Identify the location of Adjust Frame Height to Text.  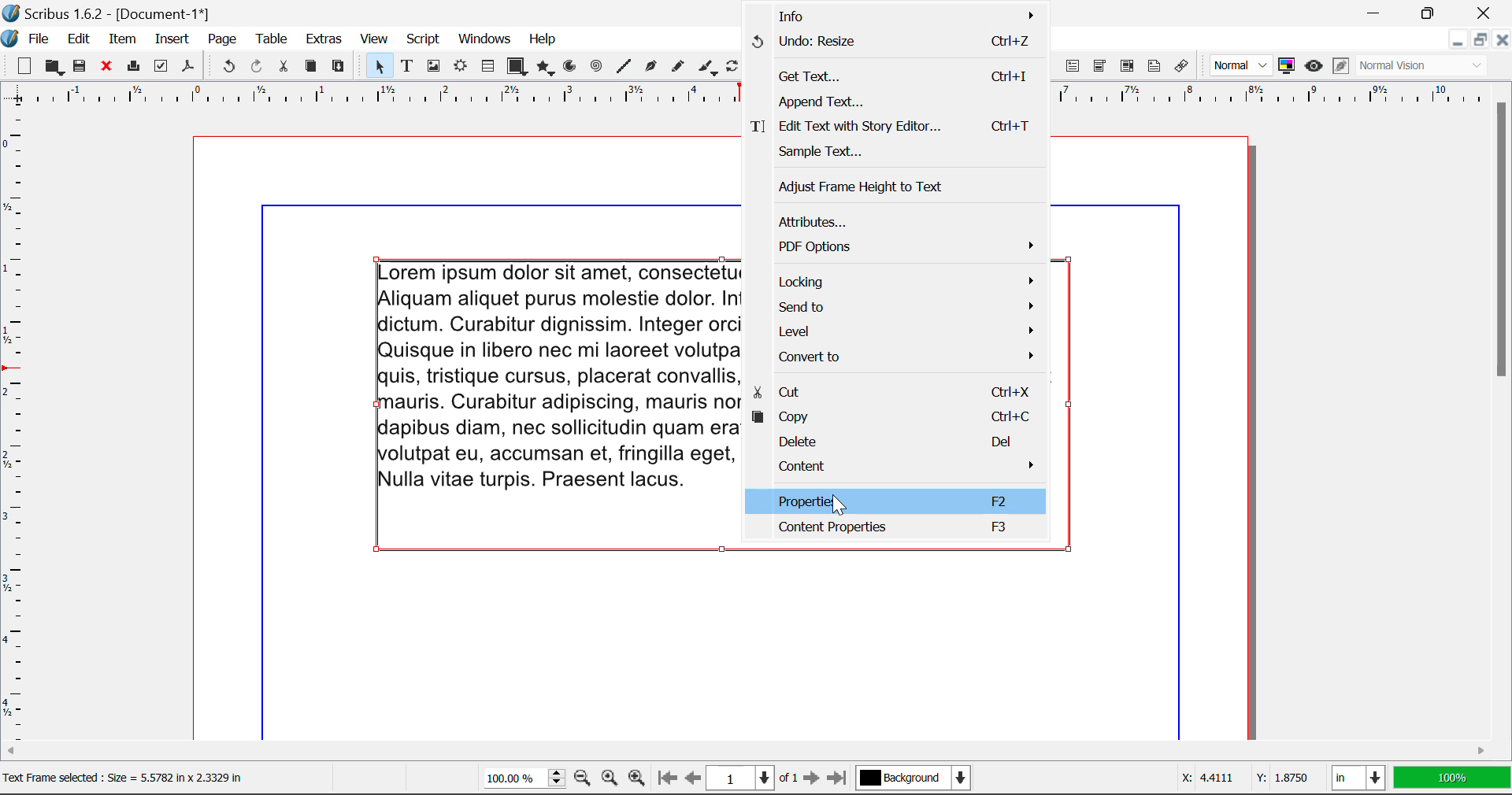
(896, 189).